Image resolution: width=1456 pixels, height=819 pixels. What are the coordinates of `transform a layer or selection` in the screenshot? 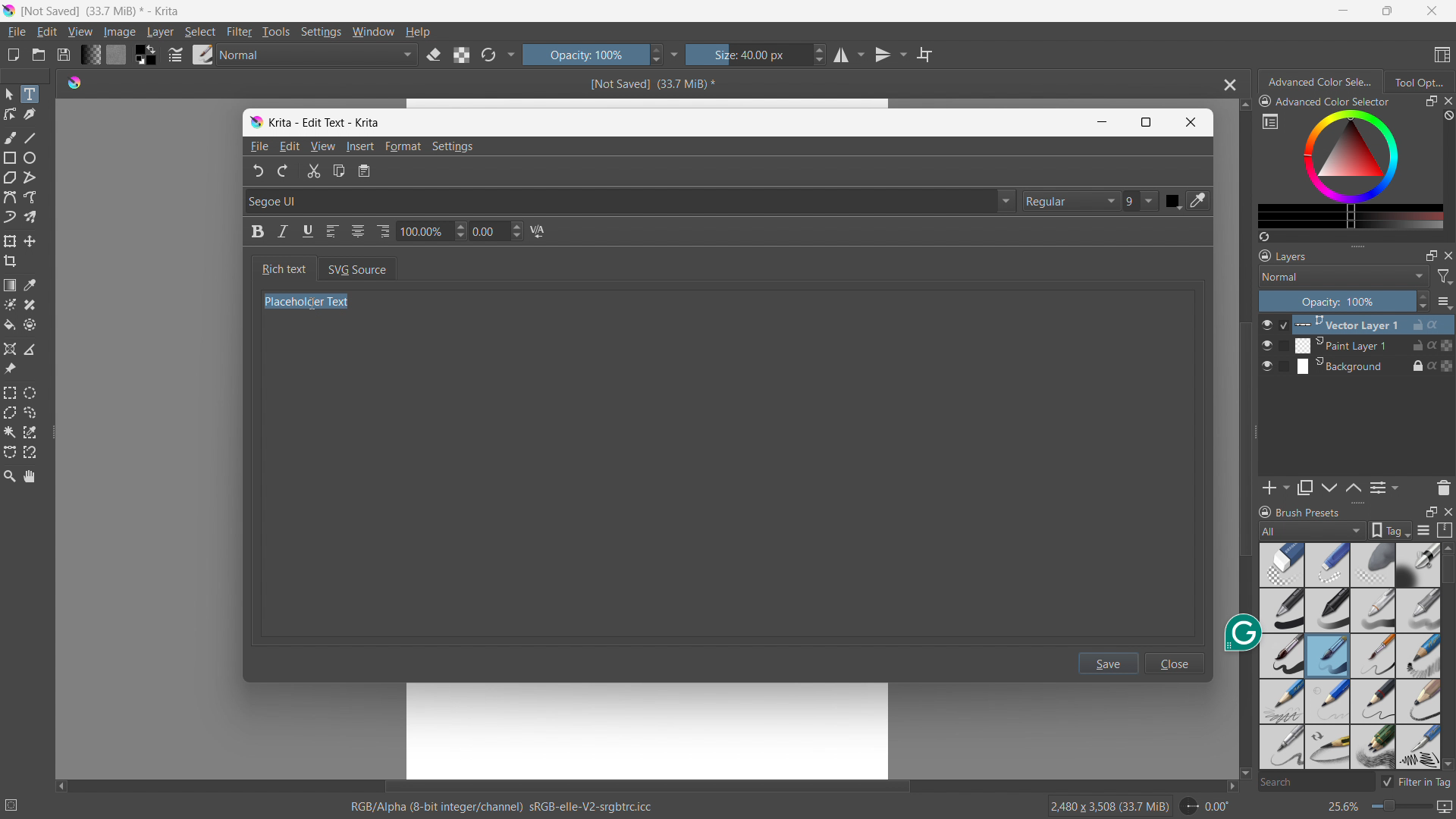 It's located at (10, 241).